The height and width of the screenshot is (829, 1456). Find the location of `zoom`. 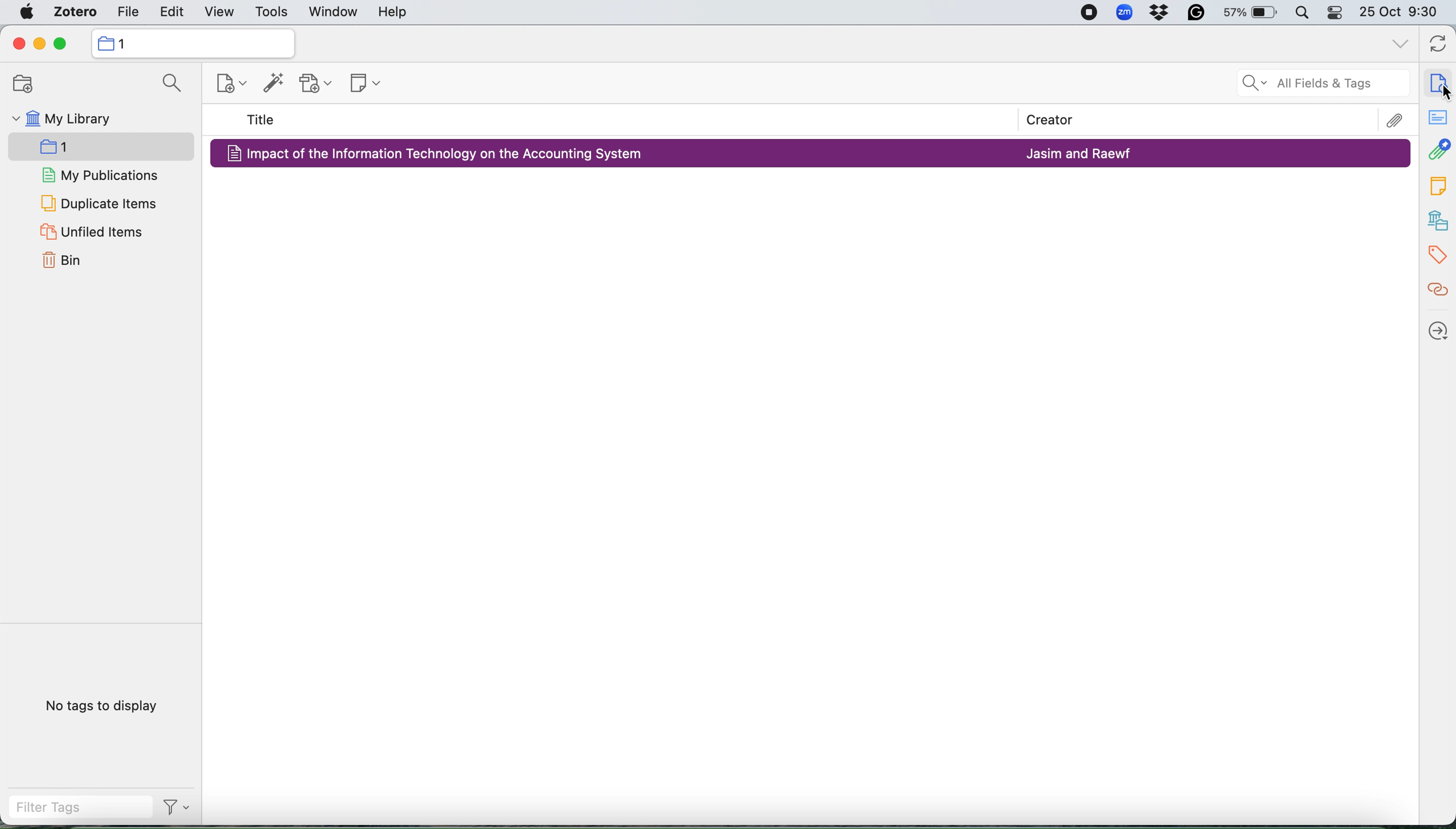

zoom is located at coordinates (1124, 12).